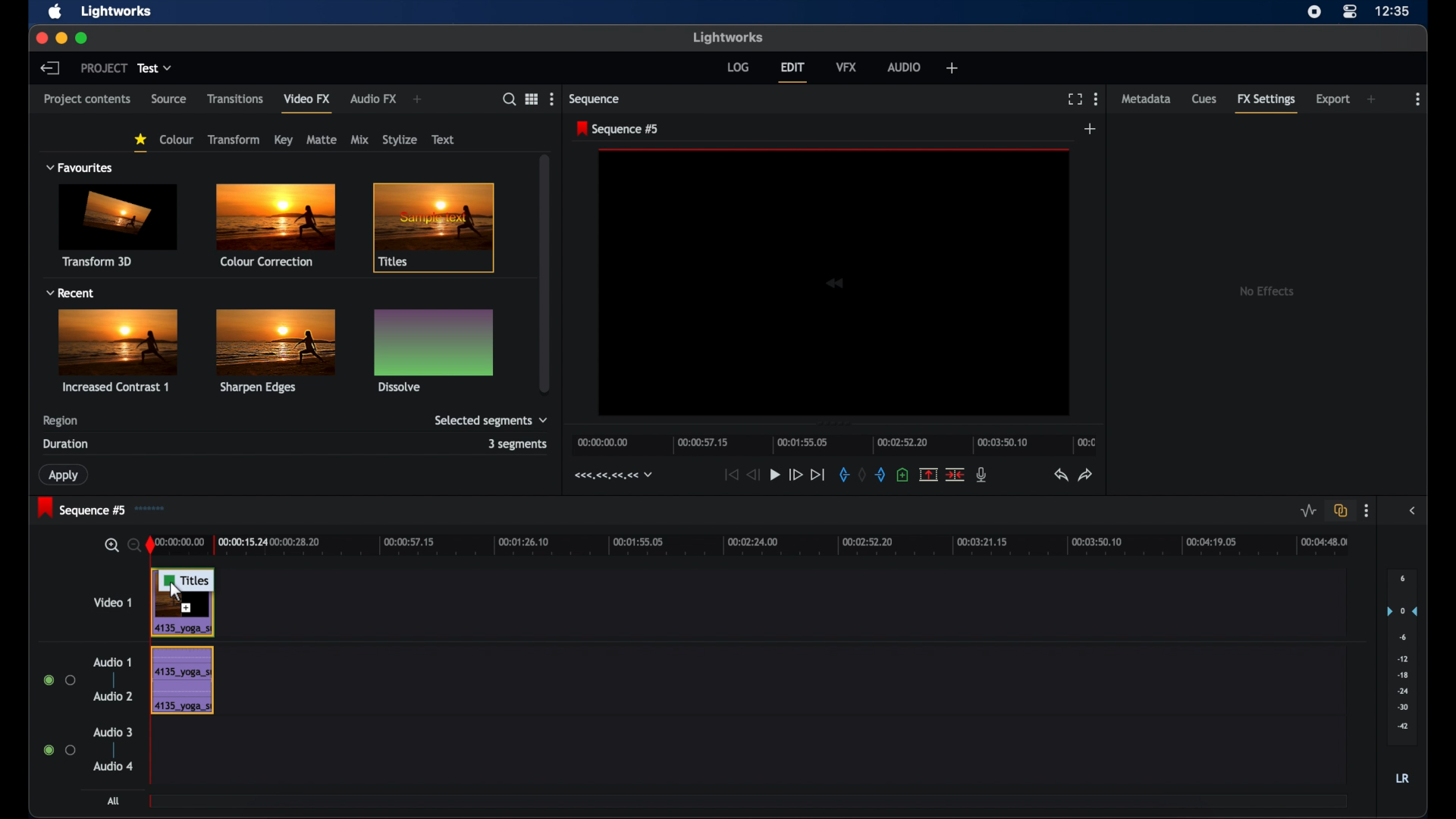  Describe the element at coordinates (80, 168) in the screenshot. I see `favorites` at that location.